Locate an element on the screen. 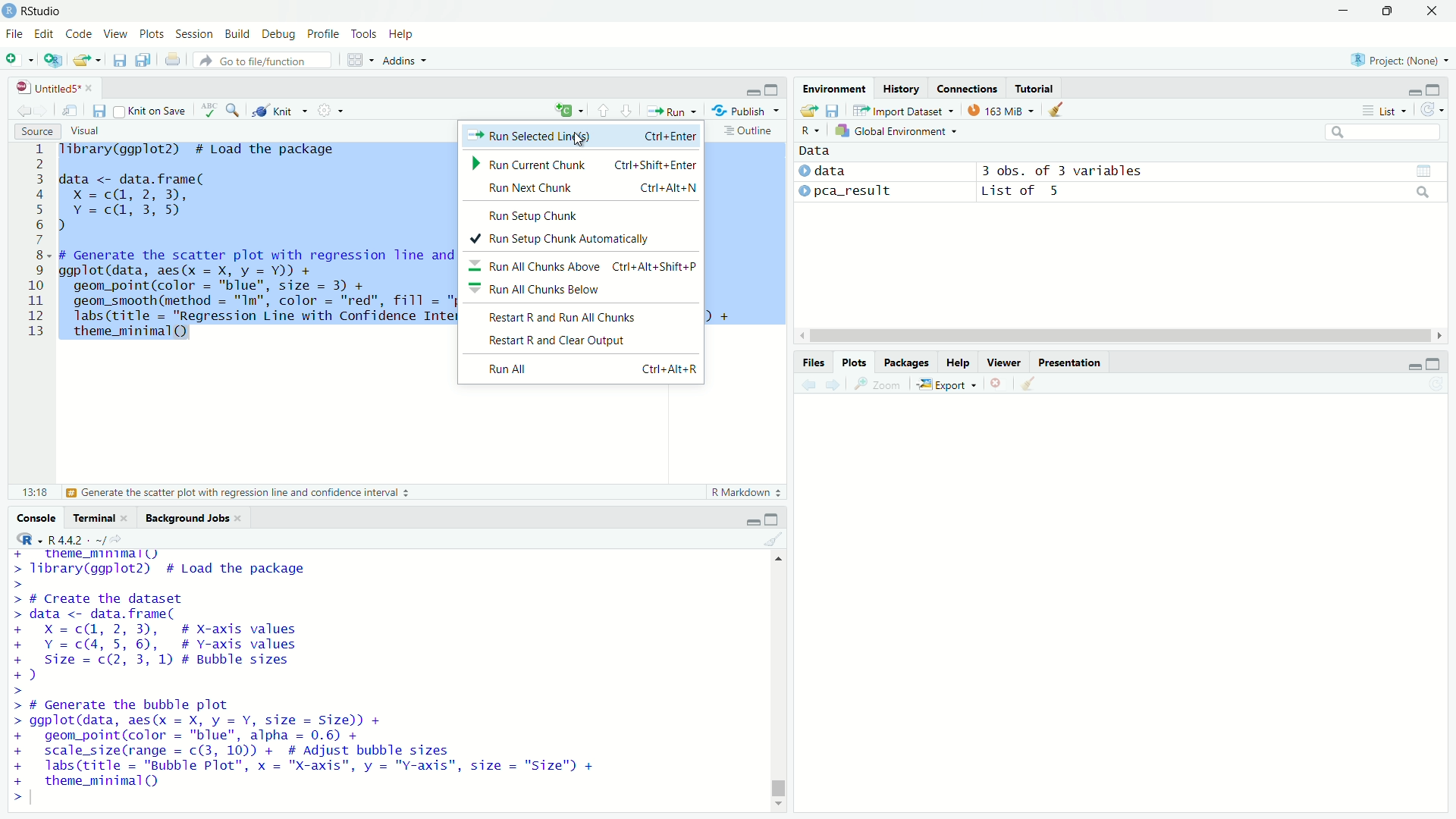 The width and height of the screenshot is (1456, 819). close is located at coordinates (1432, 11).